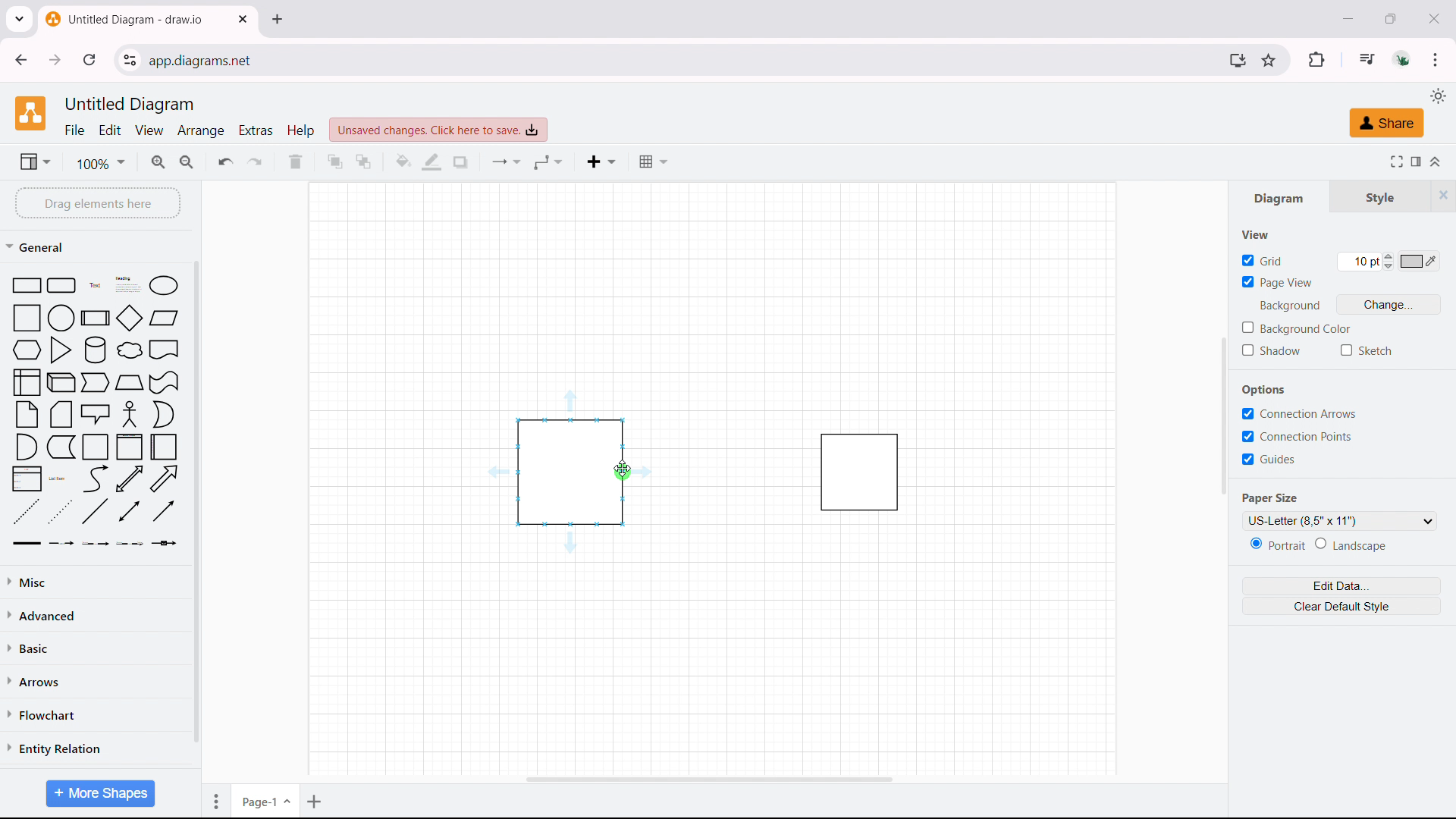  What do you see at coordinates (100, 163) in the screenshot?
I see `zoom level` at bounding box center [100, 163].